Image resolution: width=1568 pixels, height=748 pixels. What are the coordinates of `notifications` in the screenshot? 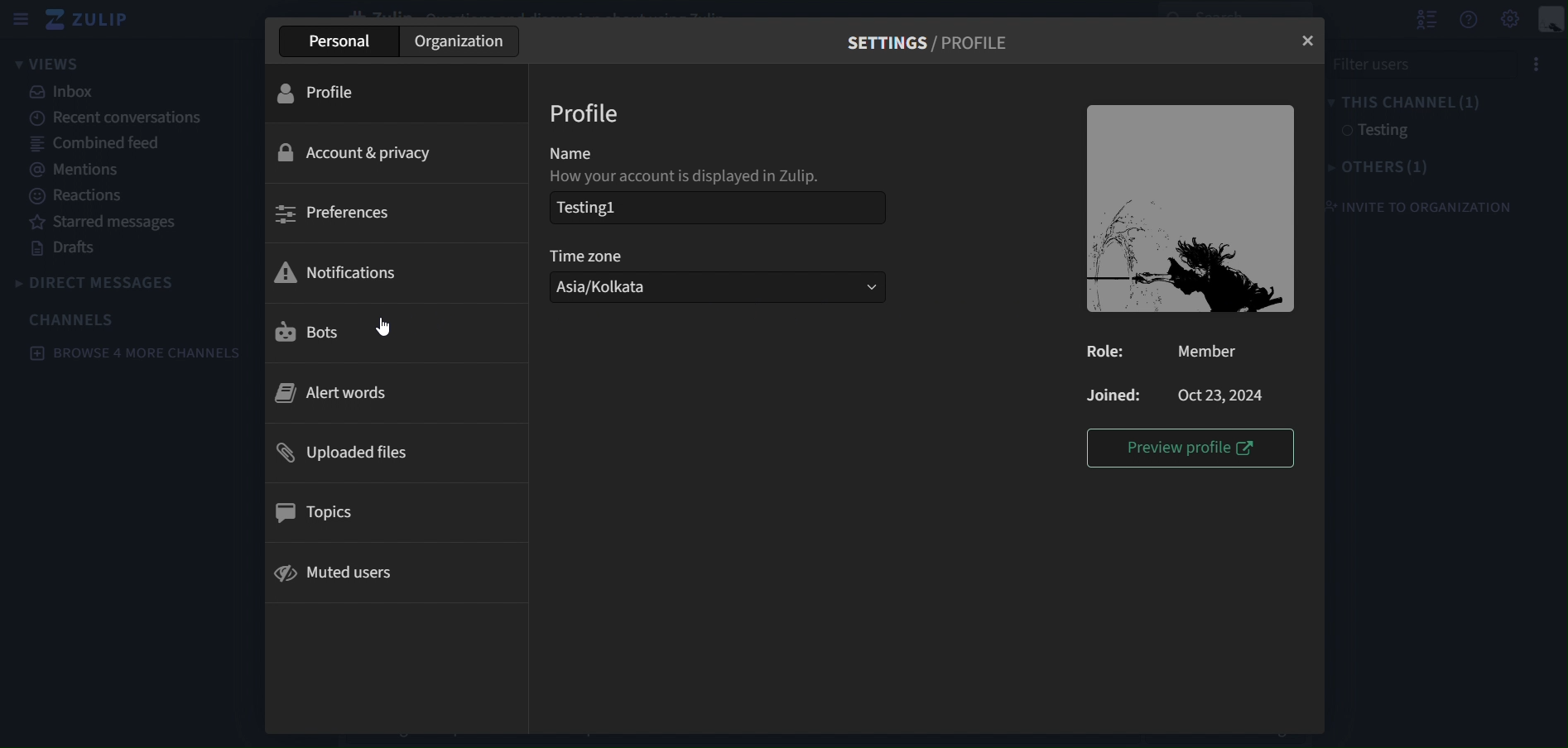 It's located at (357, 270).